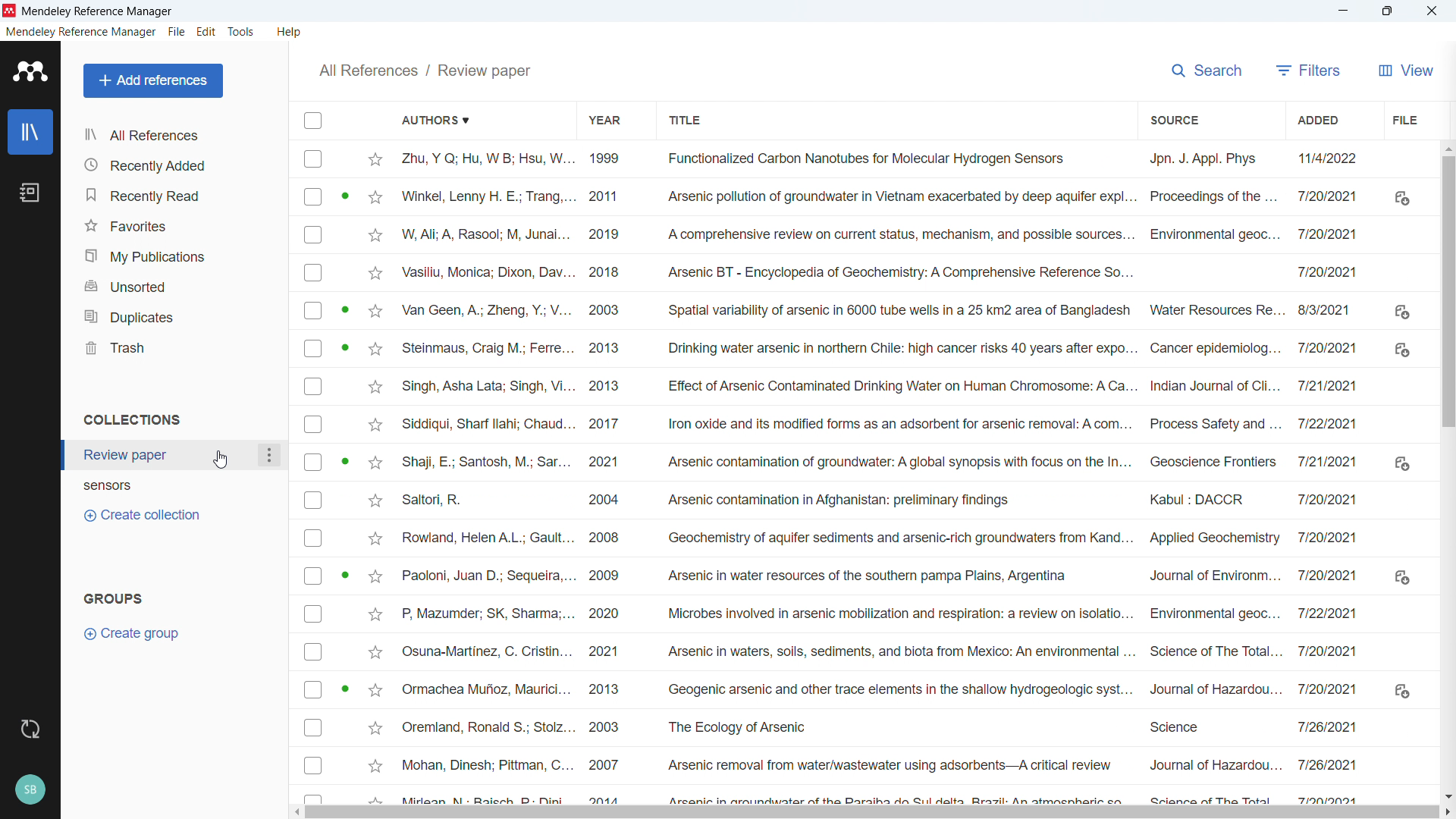 This screenshot has width=1456, height=819. I want to click on Create collection , so click(143, 516).